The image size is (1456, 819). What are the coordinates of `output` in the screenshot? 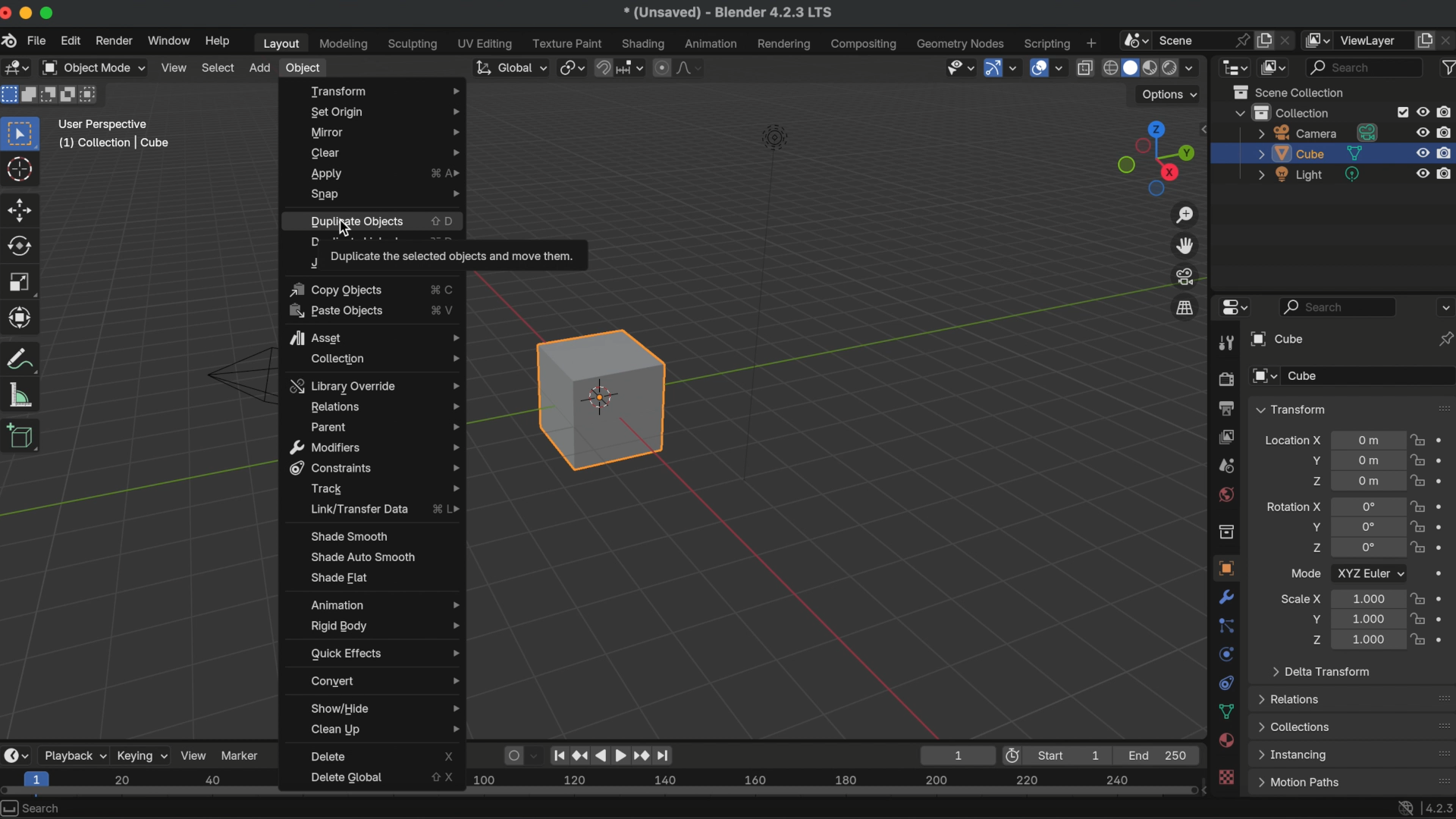 It's located at (1224, 408).